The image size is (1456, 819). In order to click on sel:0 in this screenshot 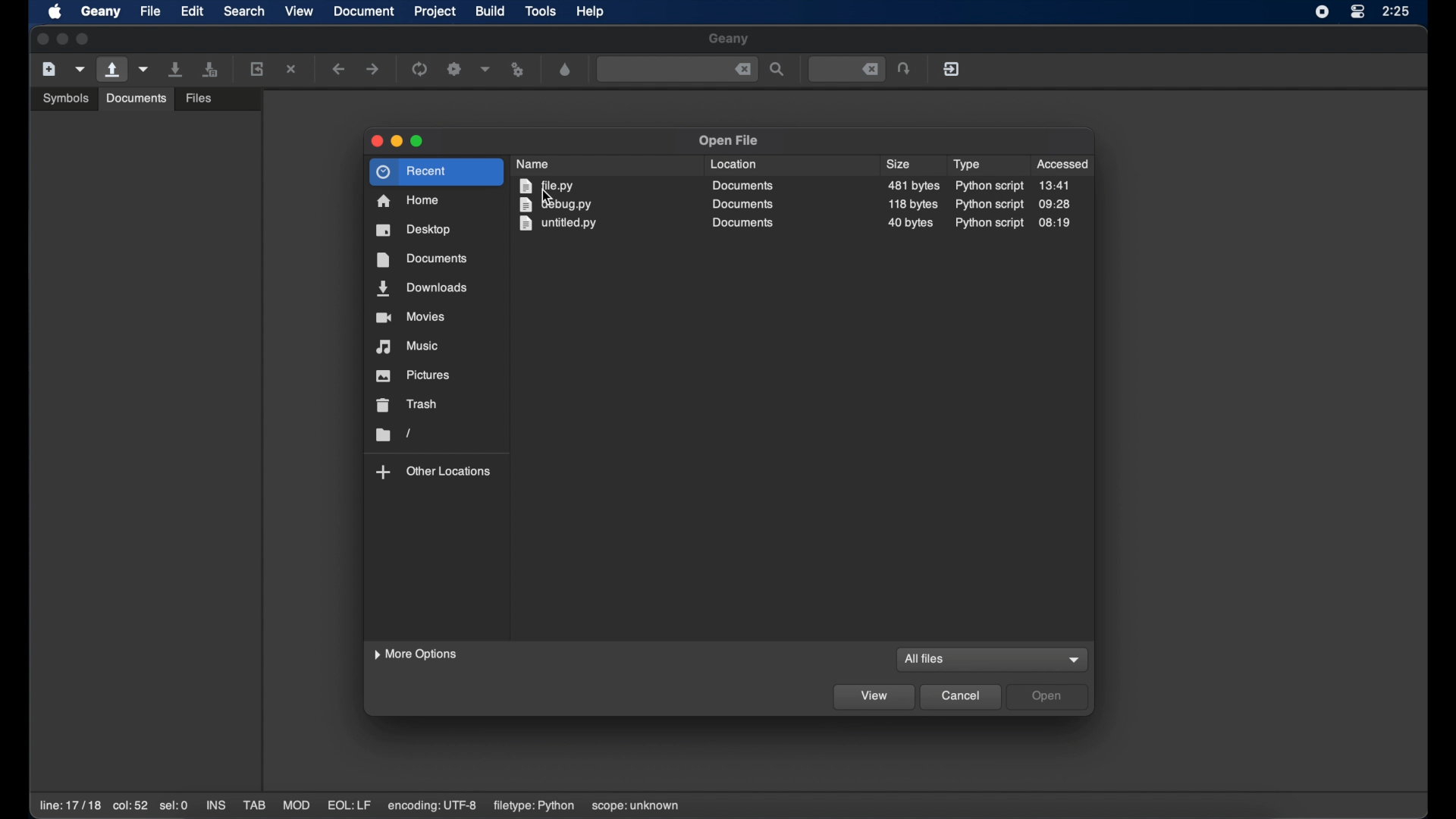, I will do `click(174, 805)`.